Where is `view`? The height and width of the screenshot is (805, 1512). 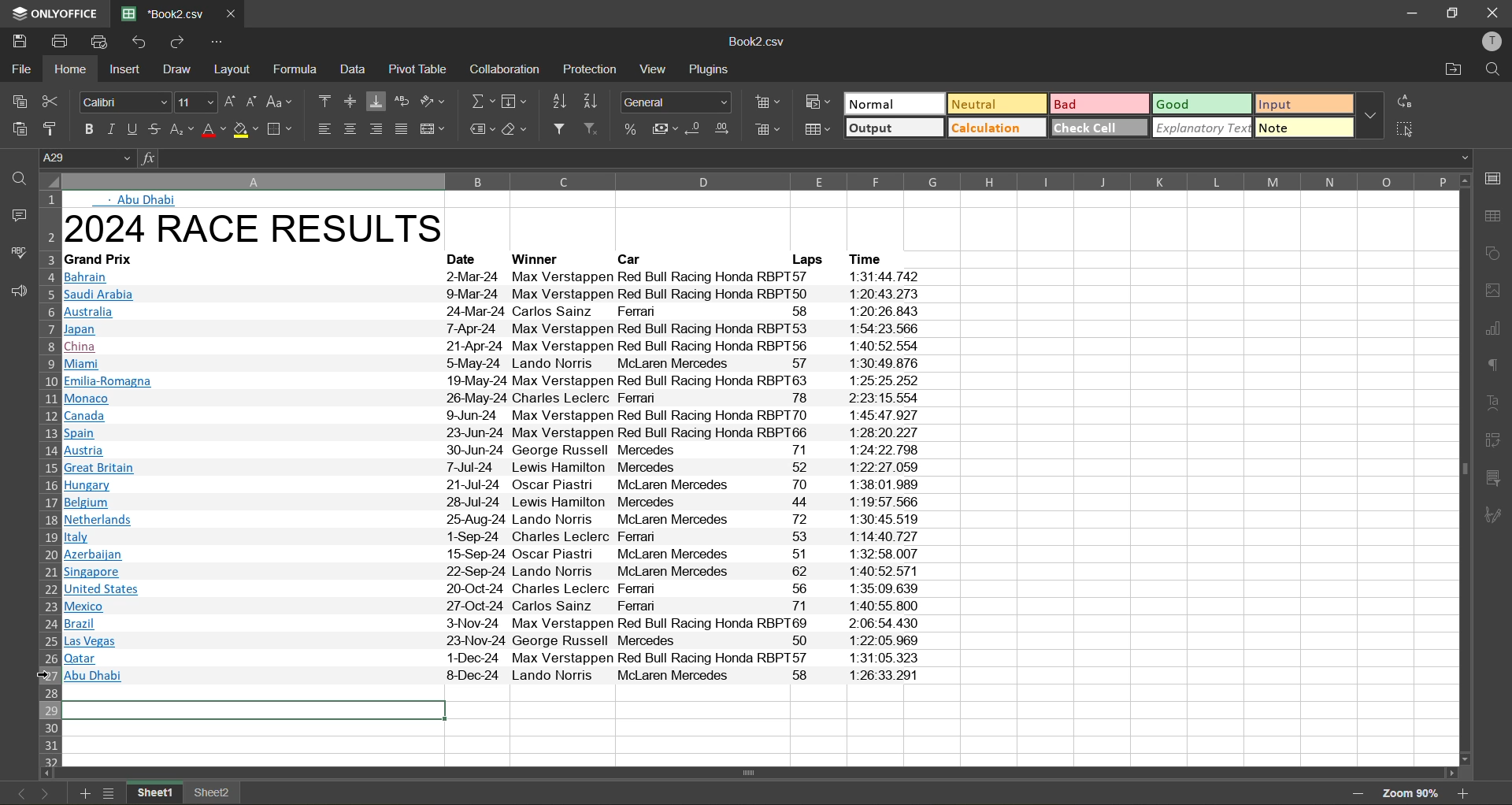
view is located at coordinates (653, 70).